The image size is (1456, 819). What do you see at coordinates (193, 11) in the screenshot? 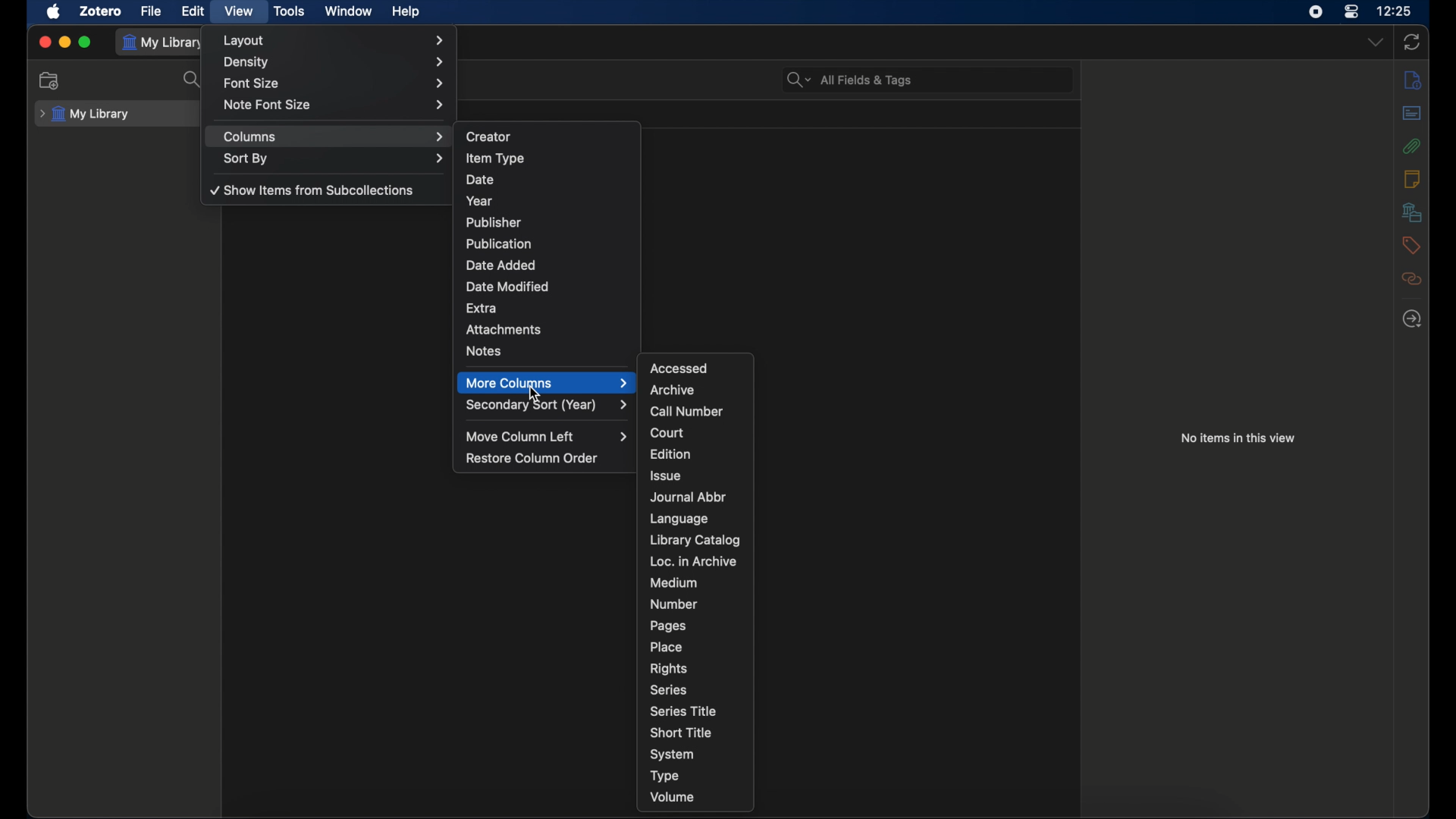
I see `edit` at bounding box center [193, 11].